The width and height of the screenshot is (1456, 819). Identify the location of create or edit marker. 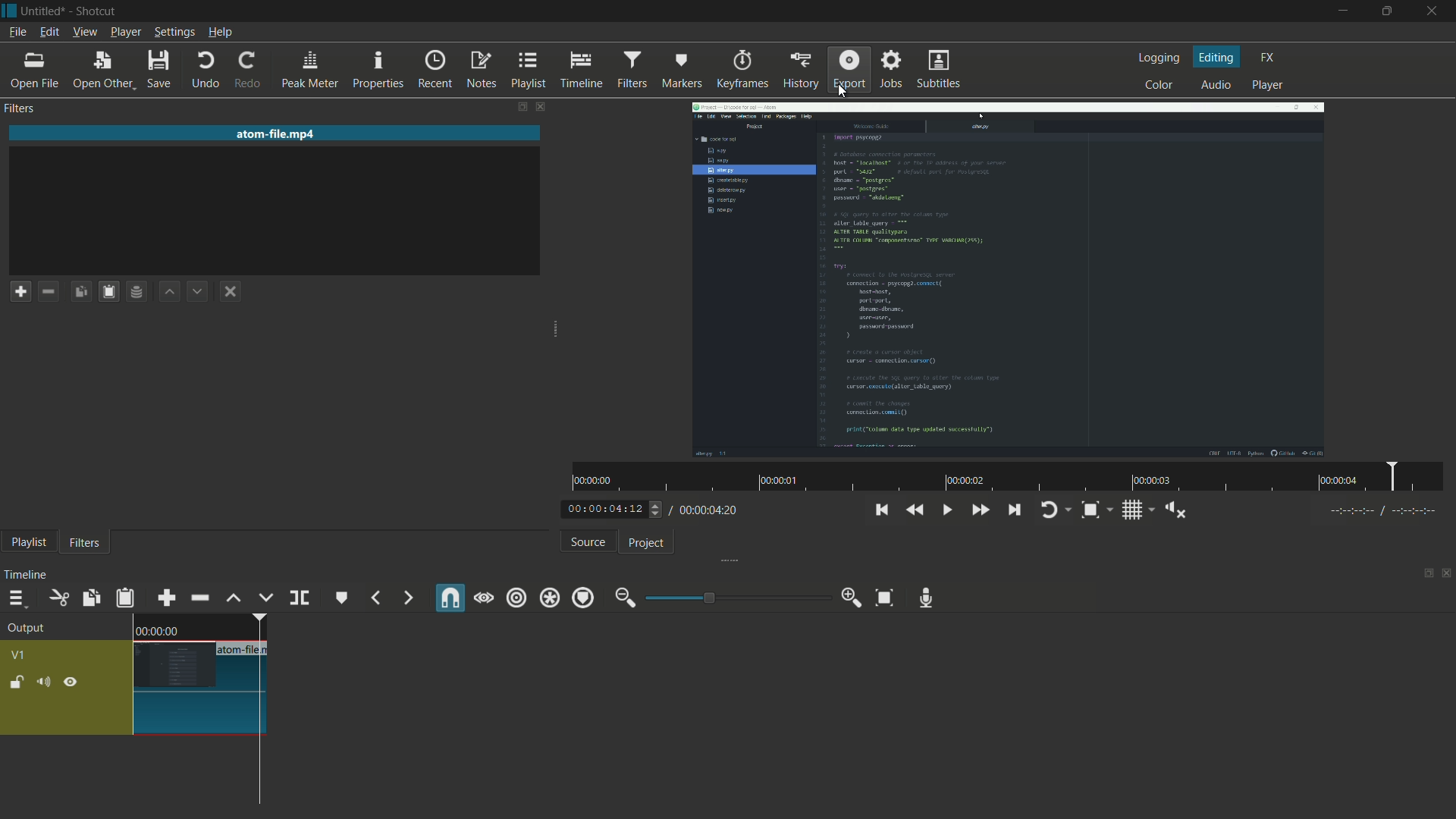
(340, 599).